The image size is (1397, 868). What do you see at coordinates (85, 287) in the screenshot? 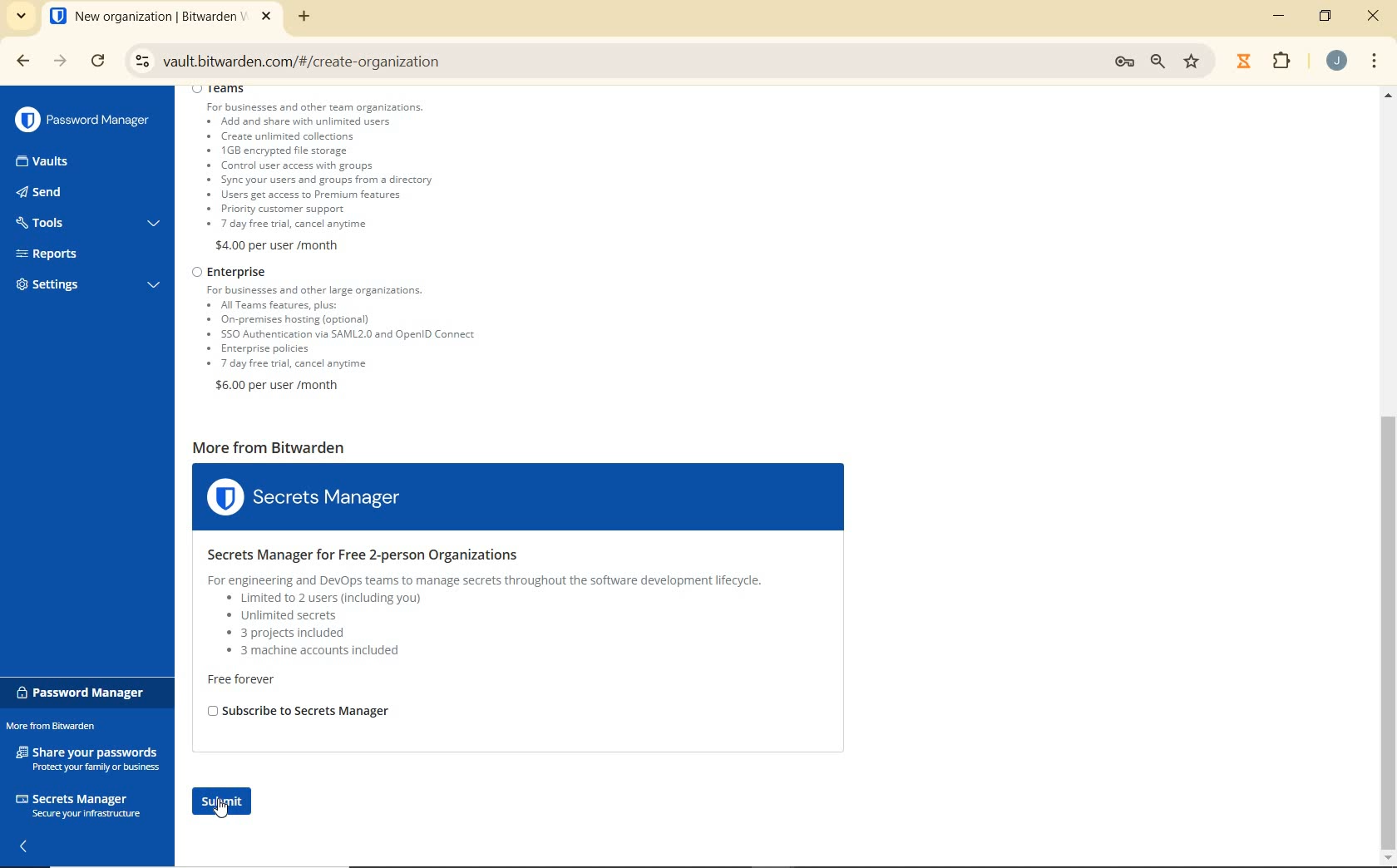
I see `settings` at bounding box center [85, 287].